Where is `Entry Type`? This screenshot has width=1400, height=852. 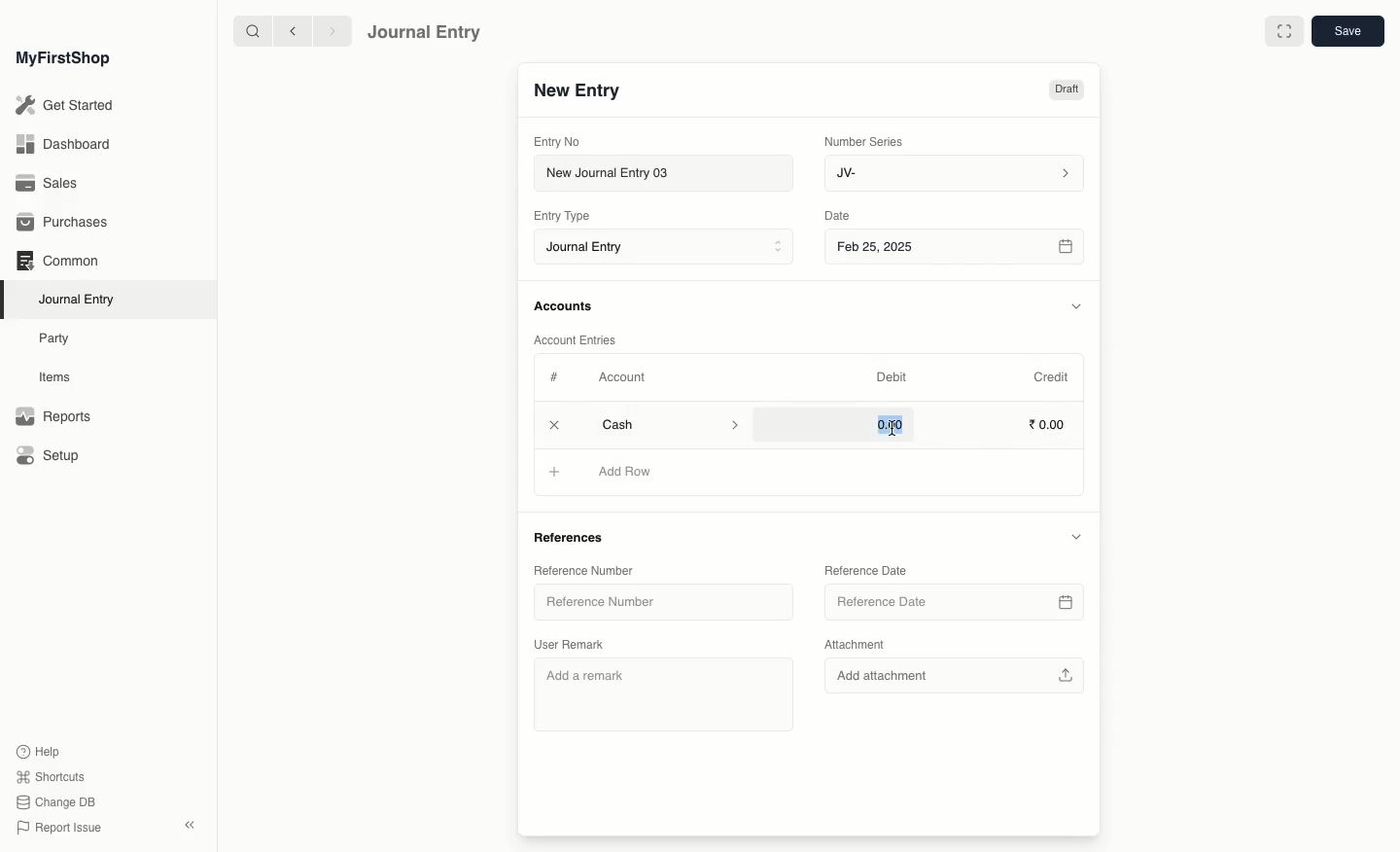 Entry Type is located at coordinates (568, 216).